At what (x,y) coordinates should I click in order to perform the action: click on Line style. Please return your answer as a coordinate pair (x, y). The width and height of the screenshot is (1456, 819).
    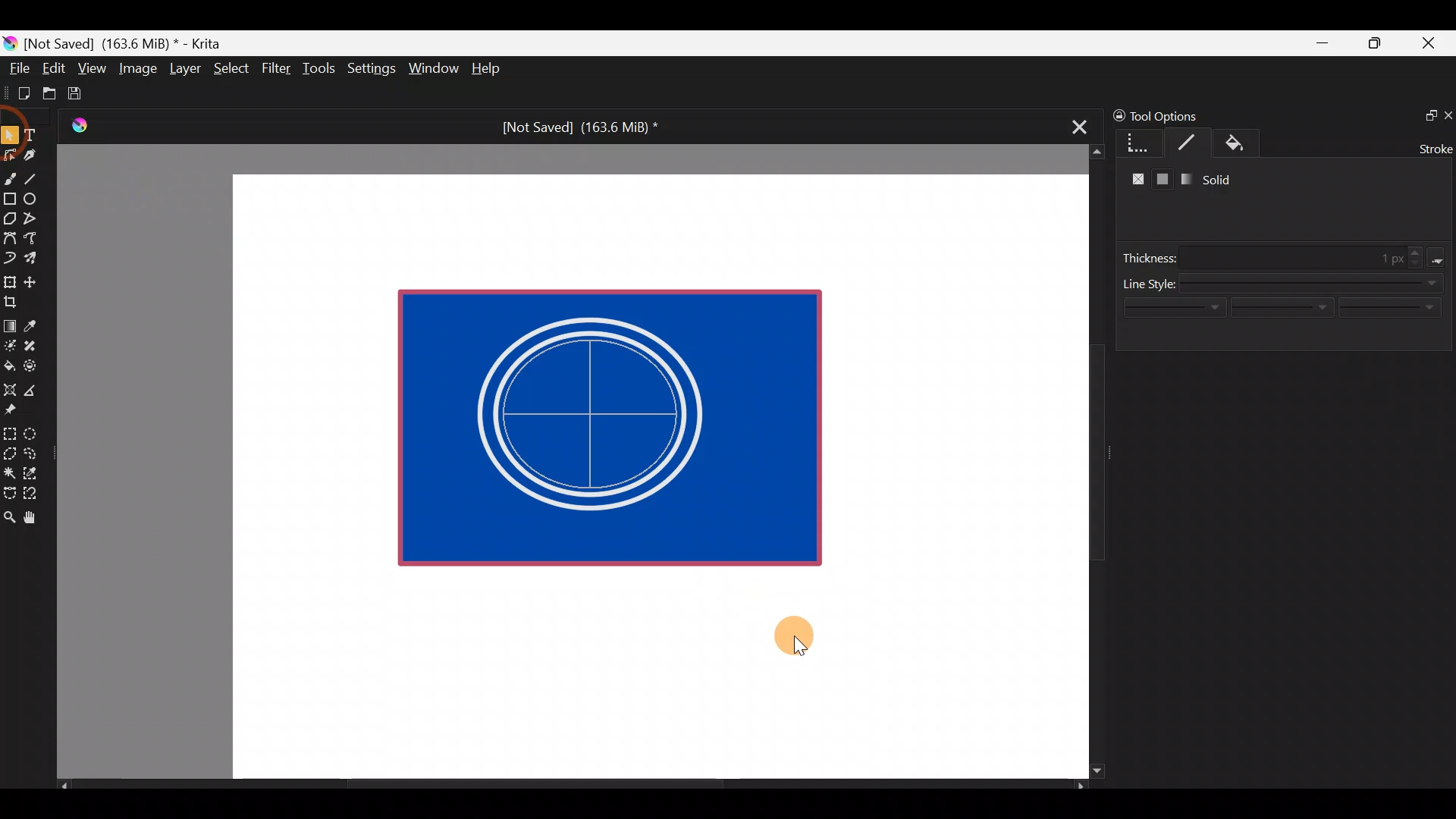
    Looking at the image, I should click on (1285, 315).